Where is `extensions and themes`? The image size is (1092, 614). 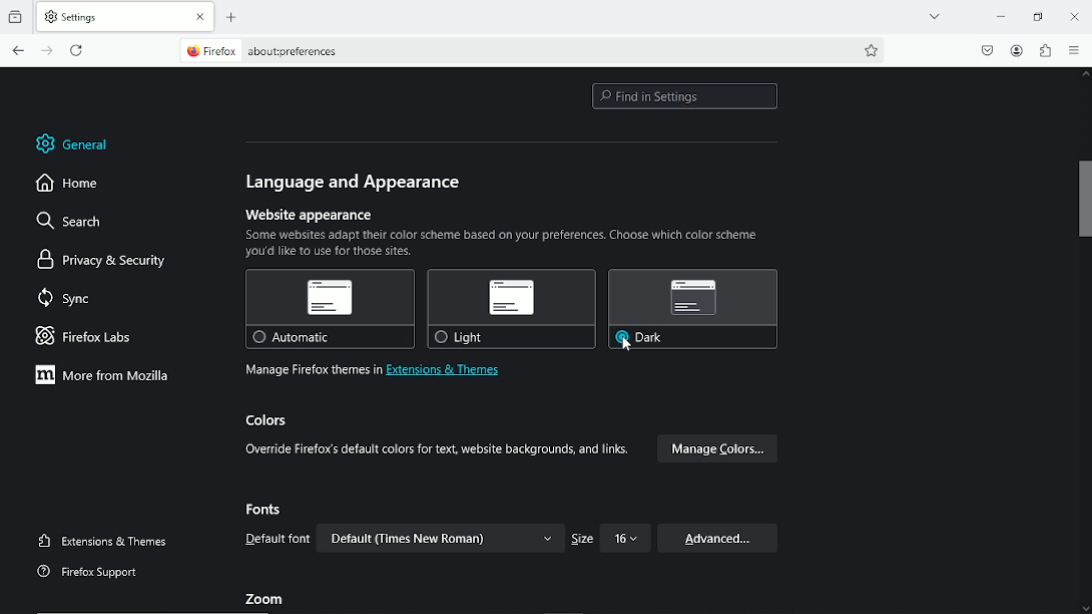
extensions and themes is located at coordinates (103, 541).